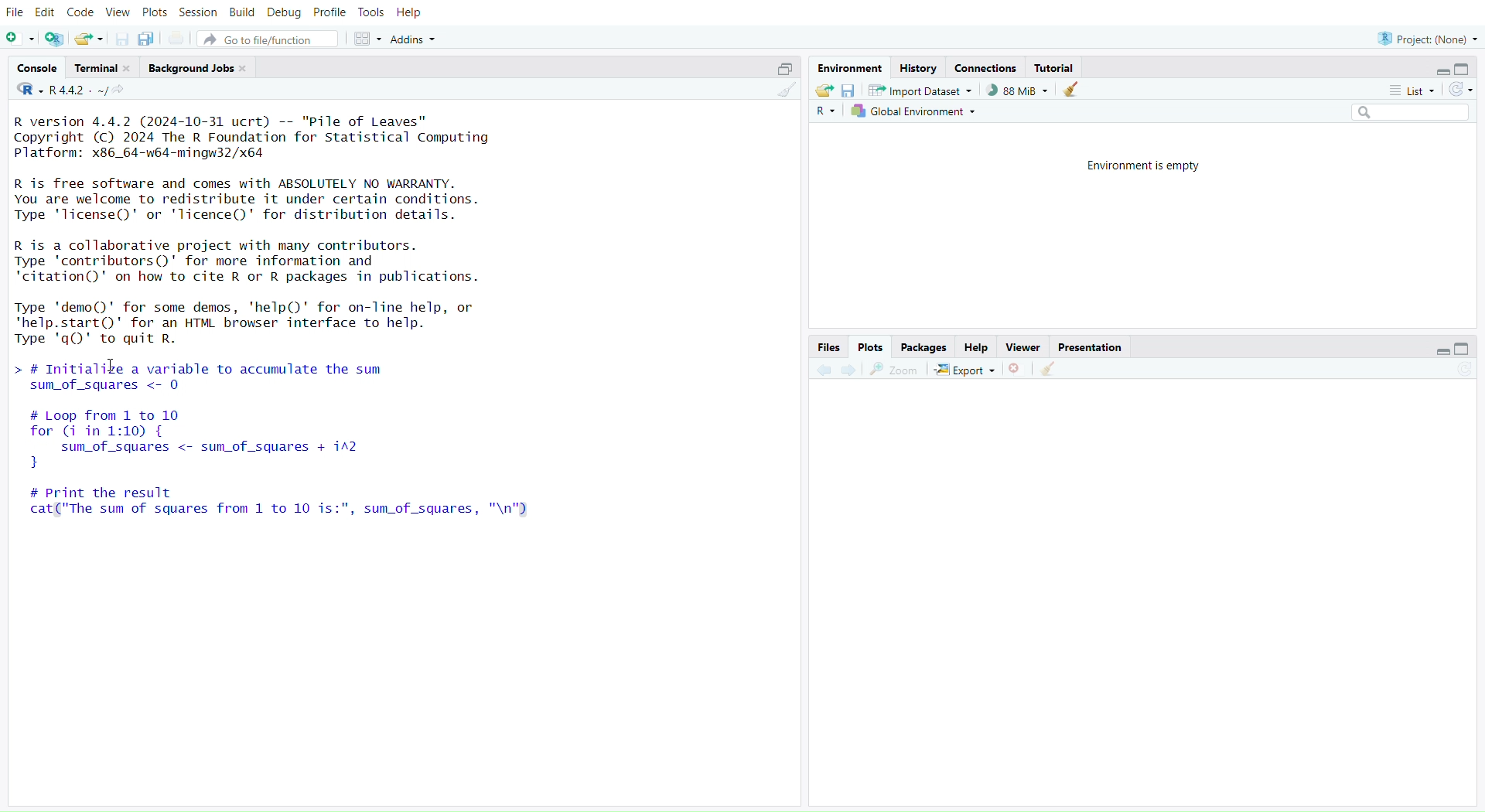 This screenshot has width=1485, height=812. I want to click on build, so click(242, 14).